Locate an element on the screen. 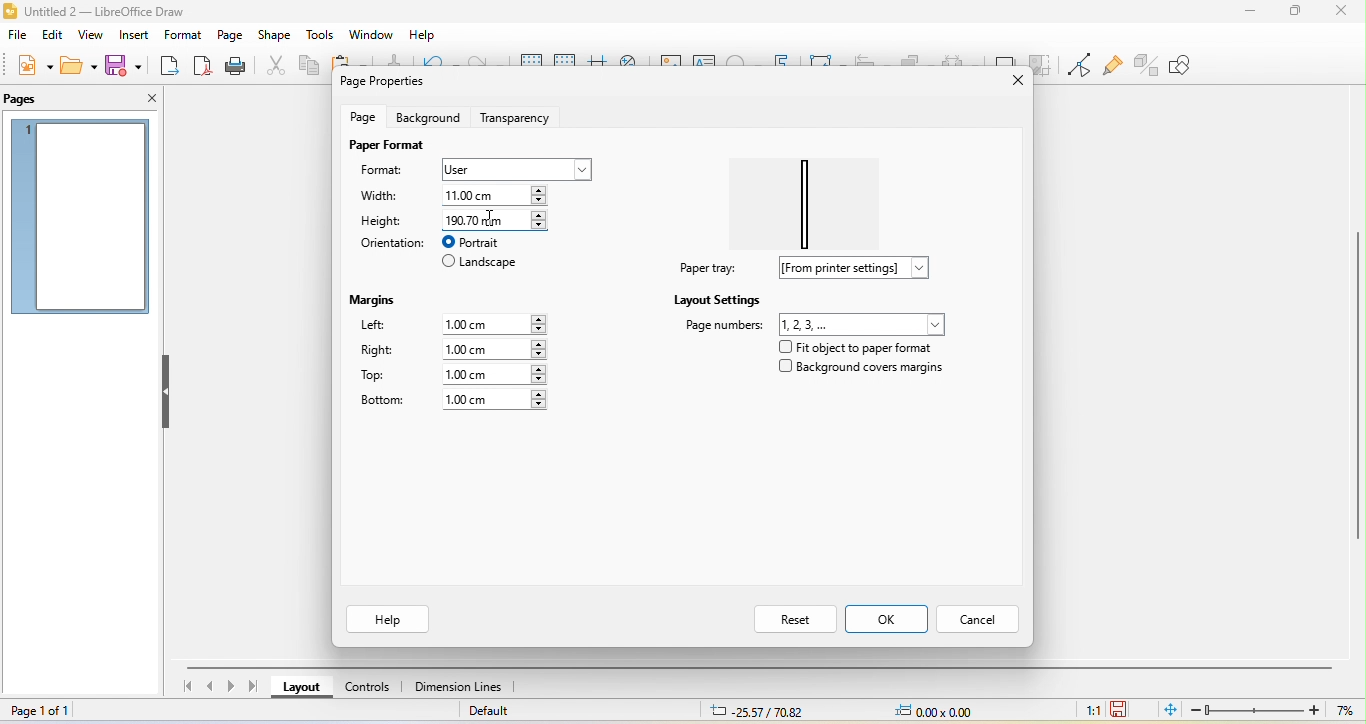 The image size is (1366, 724). window is located at coordinates (371, 35).